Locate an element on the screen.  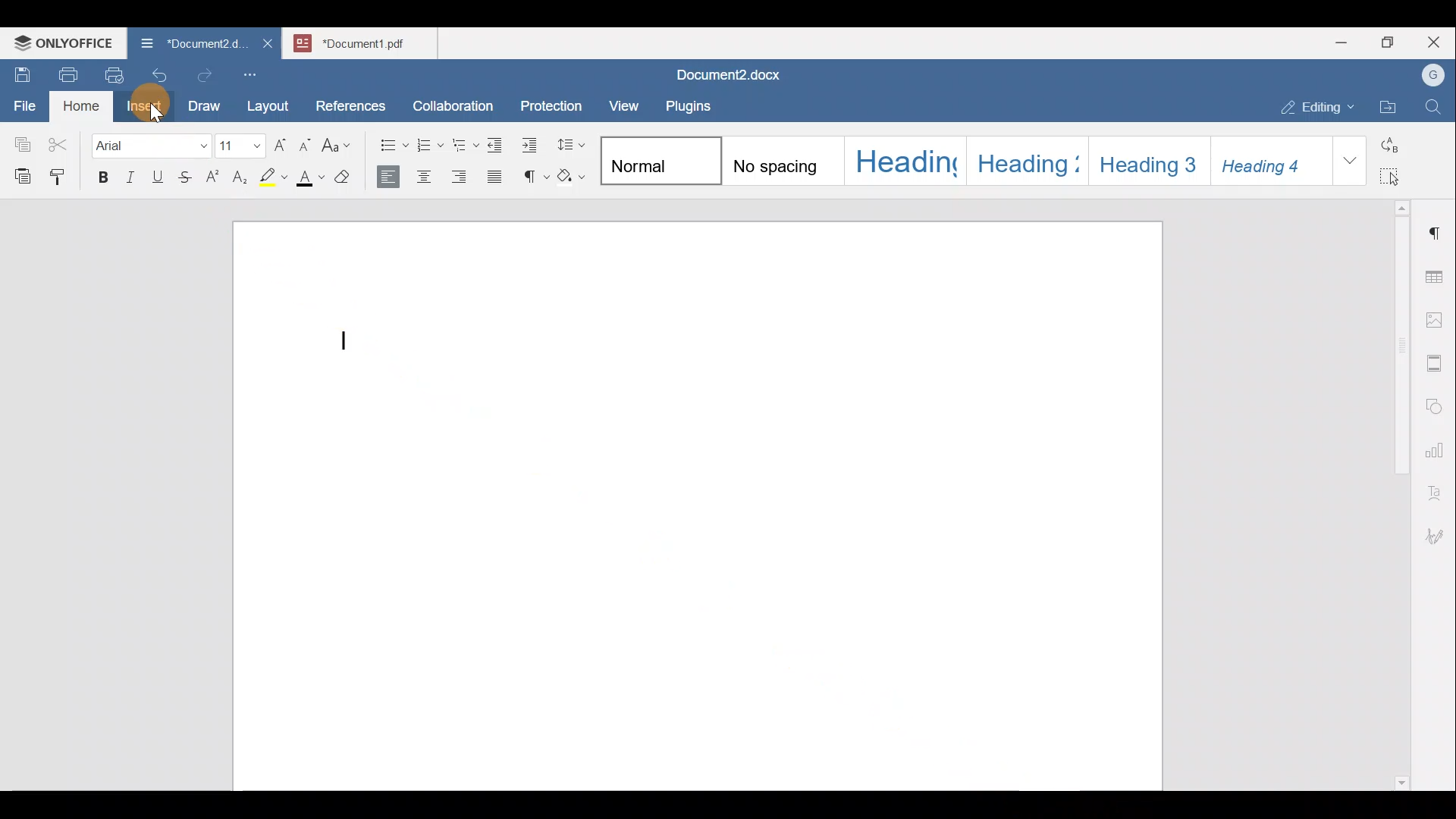
Close document is located at coordinates (265, 42).